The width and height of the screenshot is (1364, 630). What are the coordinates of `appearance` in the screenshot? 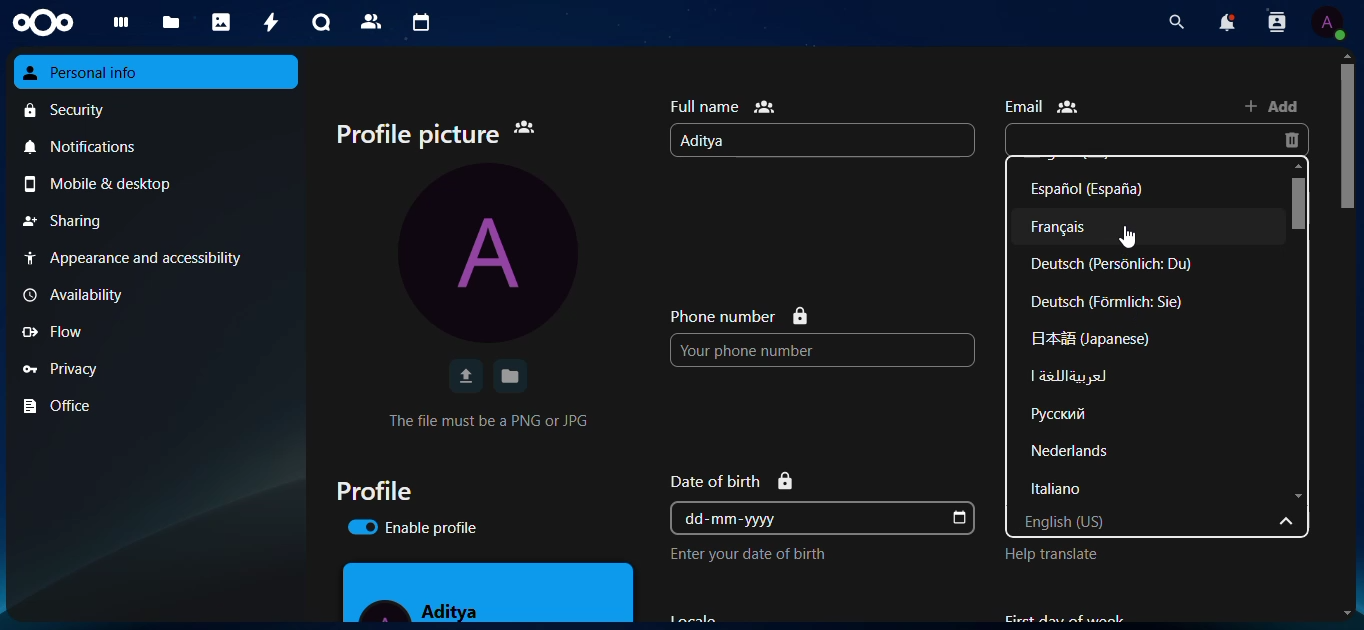 It's located at (144, 258).